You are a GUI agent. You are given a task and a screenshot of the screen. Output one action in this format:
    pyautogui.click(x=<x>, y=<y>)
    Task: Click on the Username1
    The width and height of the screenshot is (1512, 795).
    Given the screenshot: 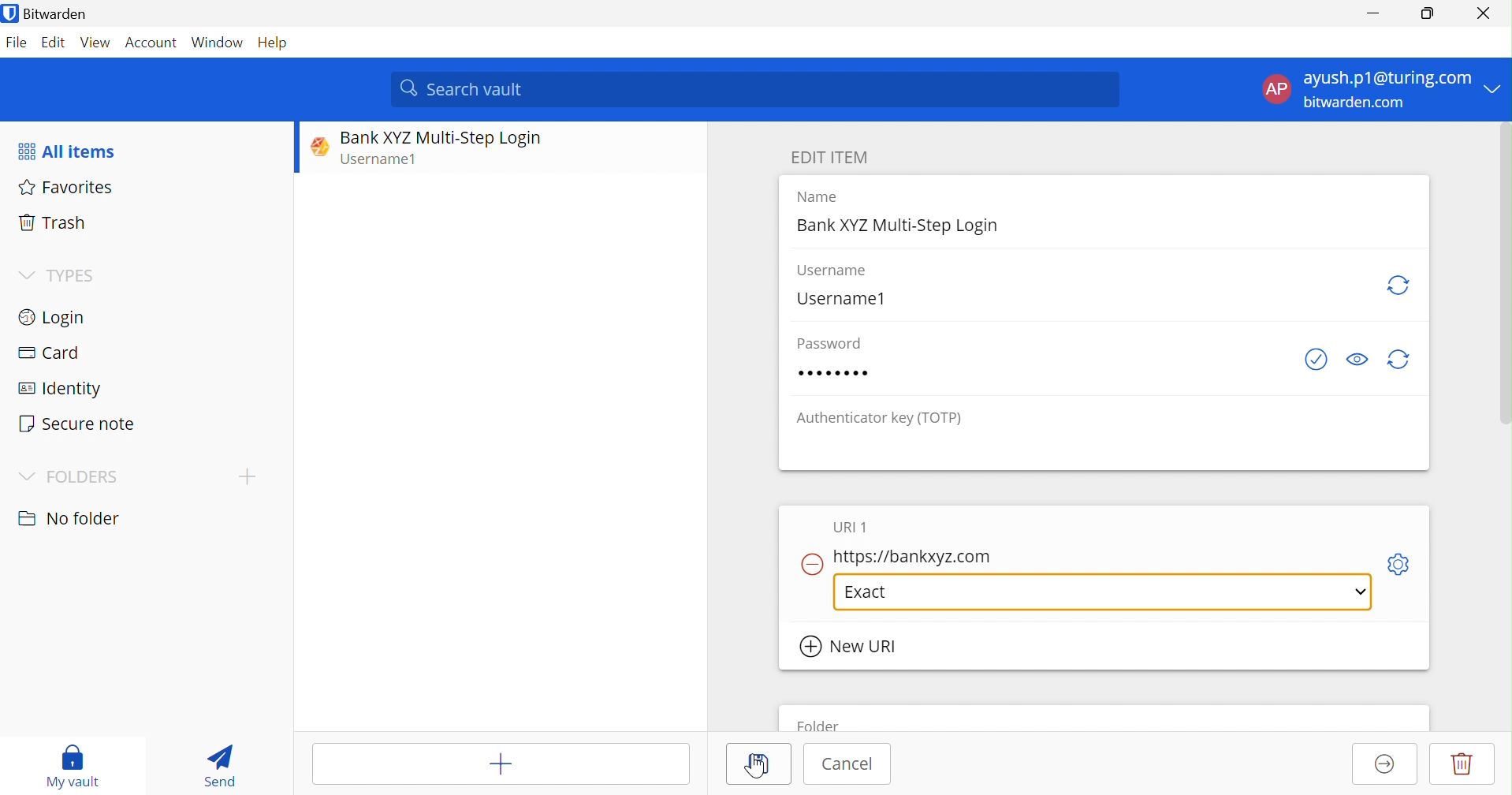 What is the action you would take?
    pyautogui.click(x=386, y=161)
    